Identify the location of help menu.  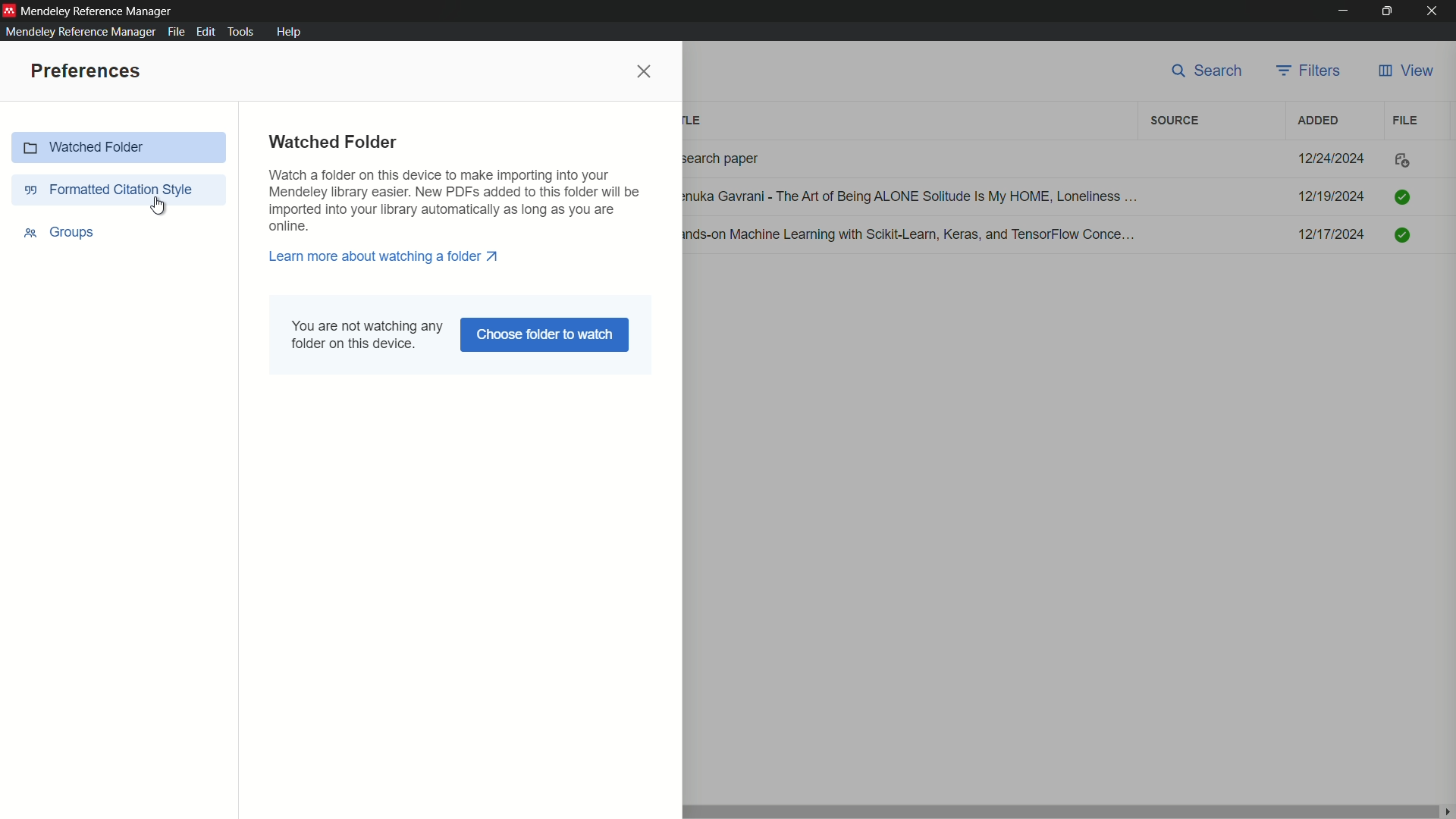
(288, 32).